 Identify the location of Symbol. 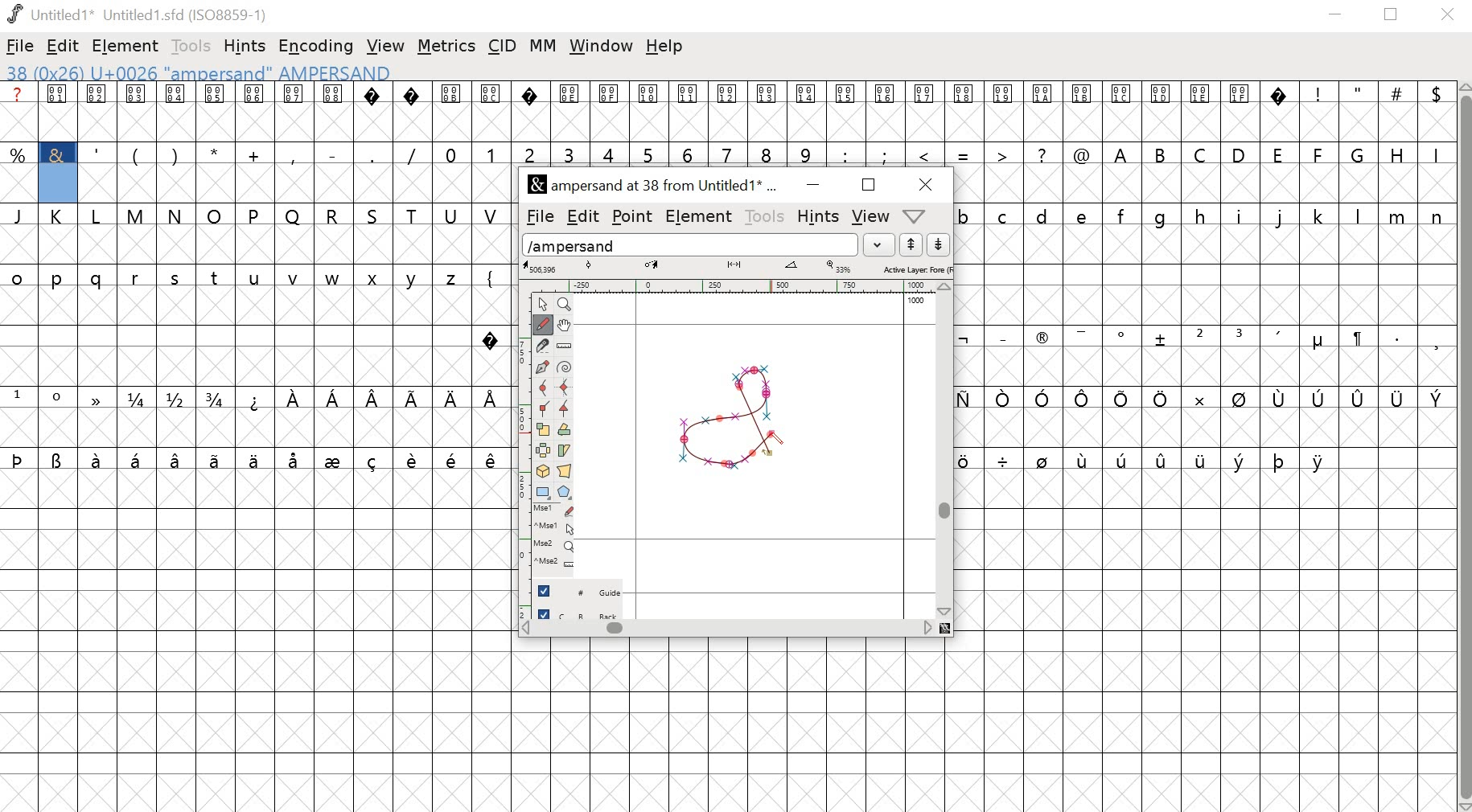
(1318, 342).